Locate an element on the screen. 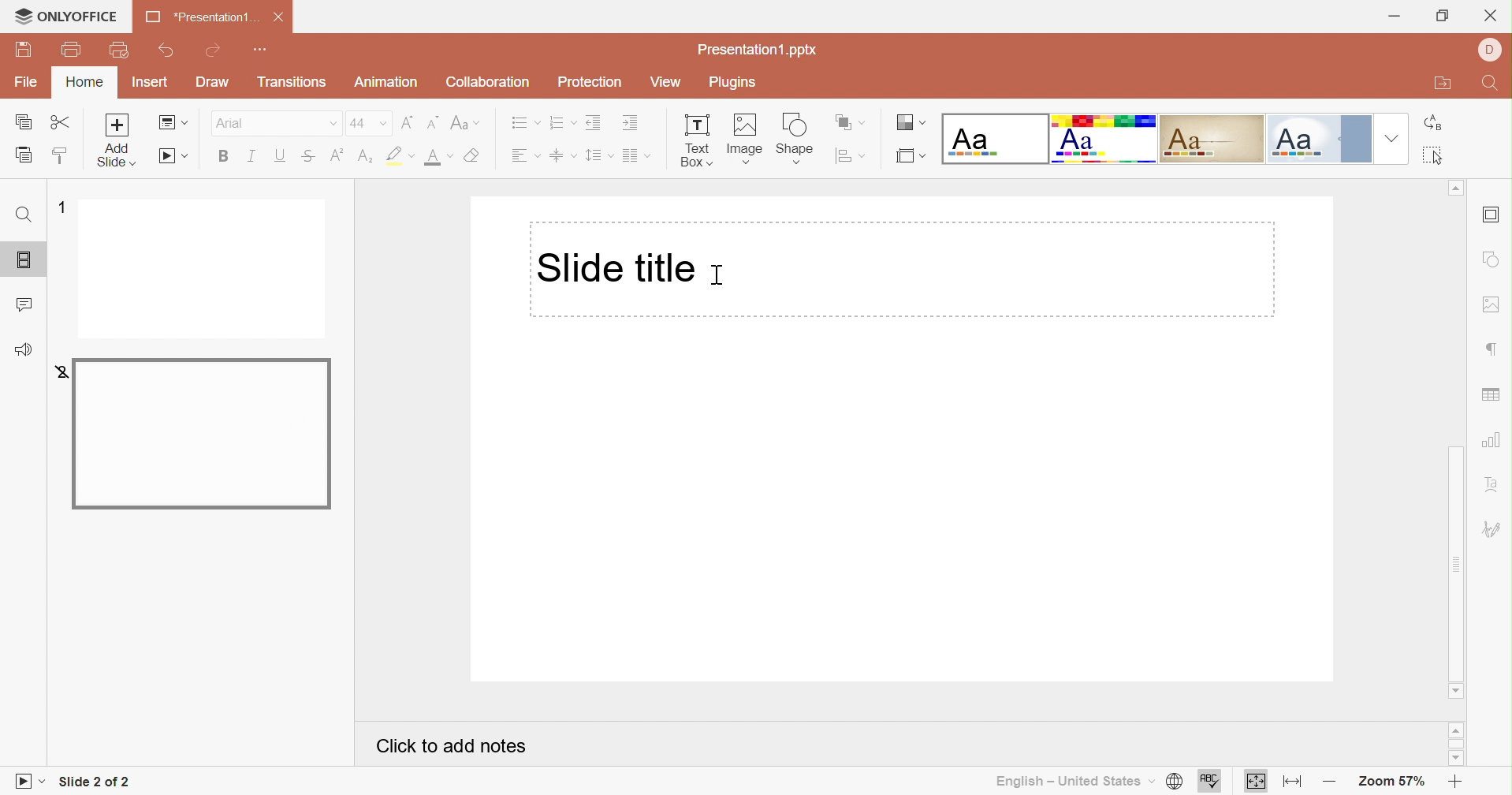 This screenshot has height=795, width=1512. Change color theme is located at coordinates (908, 122).